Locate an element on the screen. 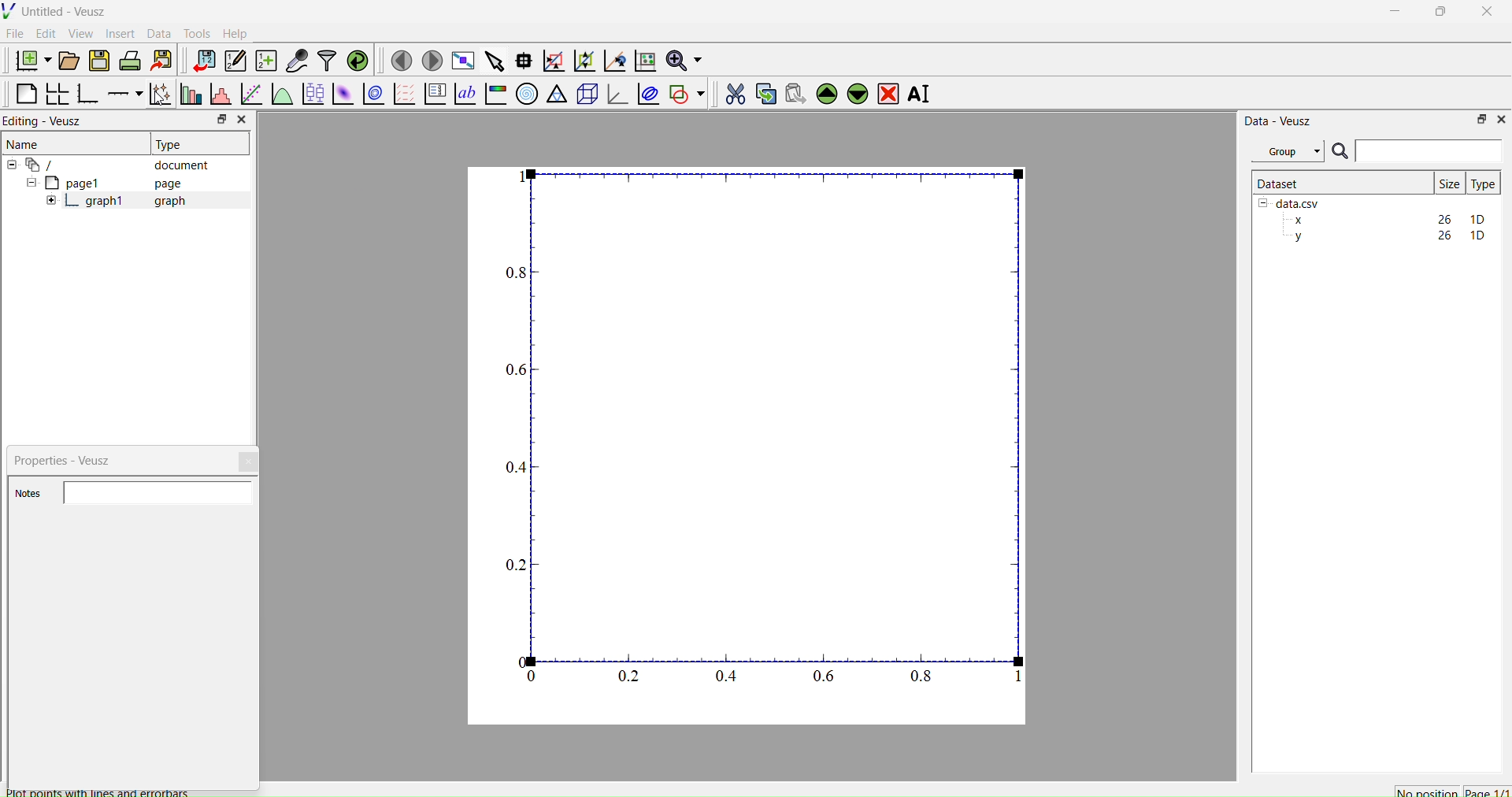 This screenshot has width=1512, height=797. Reset graph axis is located at coordinates (643, 60).